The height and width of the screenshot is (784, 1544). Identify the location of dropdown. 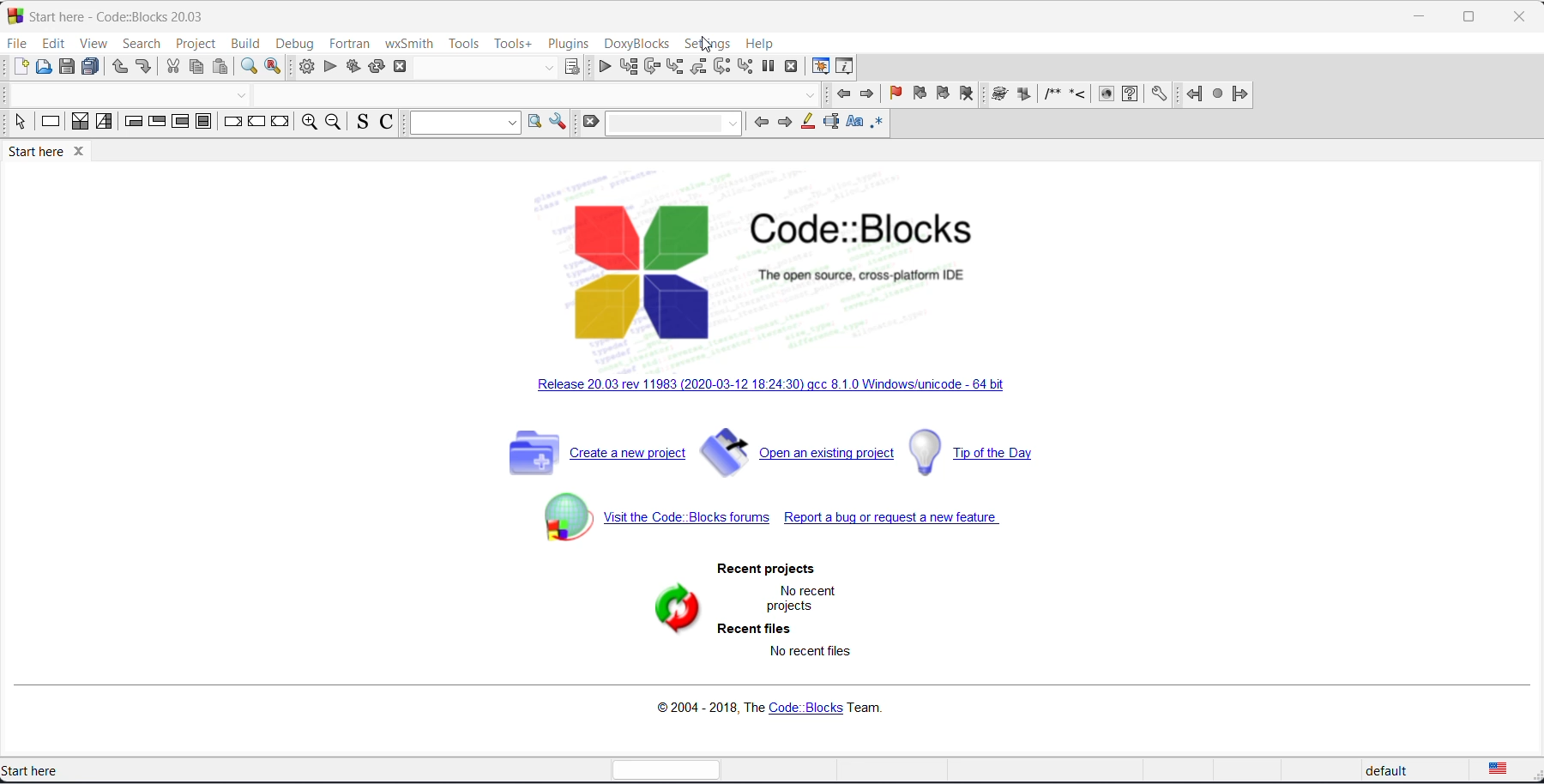
(547, 67).